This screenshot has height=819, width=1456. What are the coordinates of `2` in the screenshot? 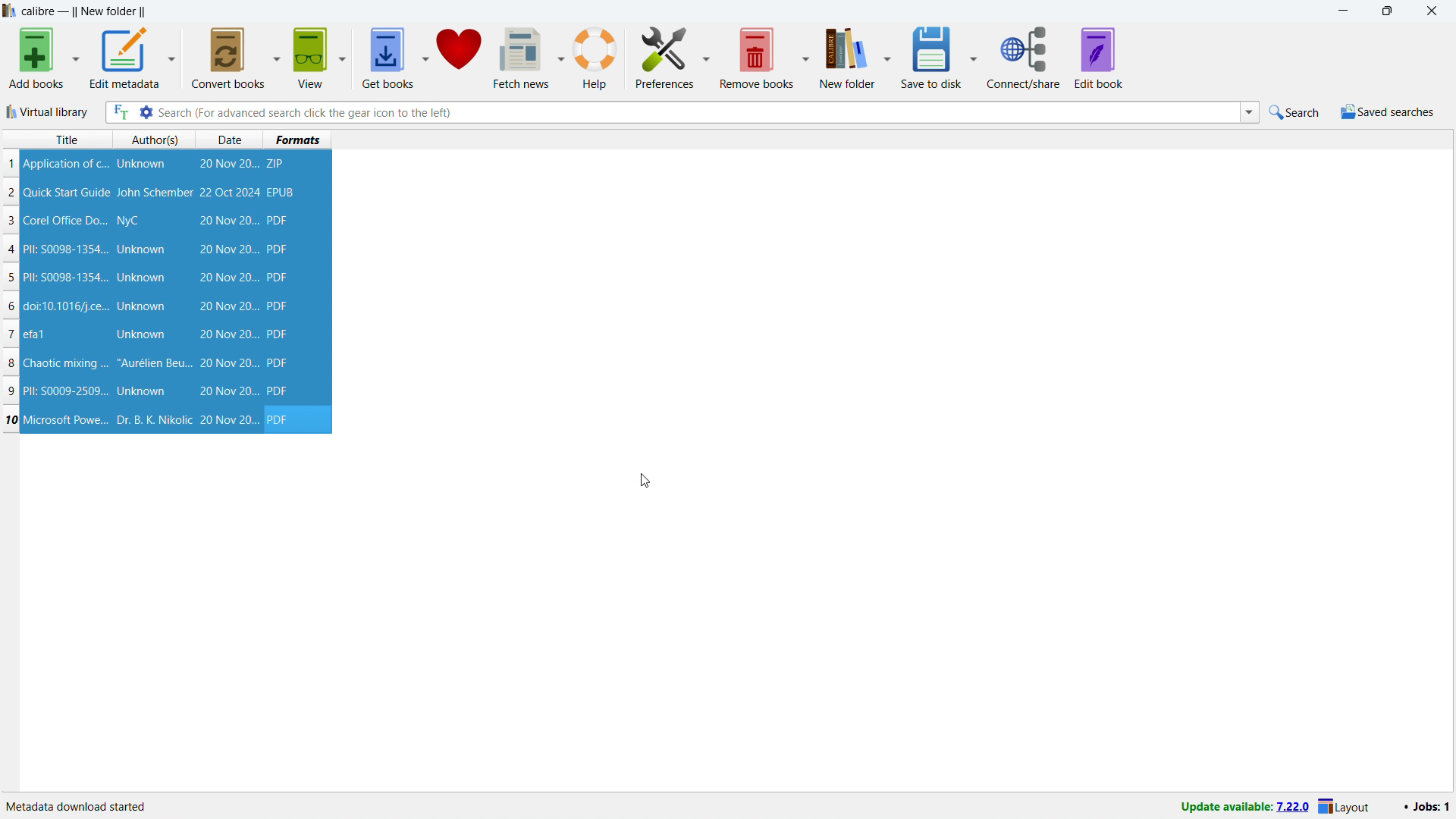 It's located at (11, 193).